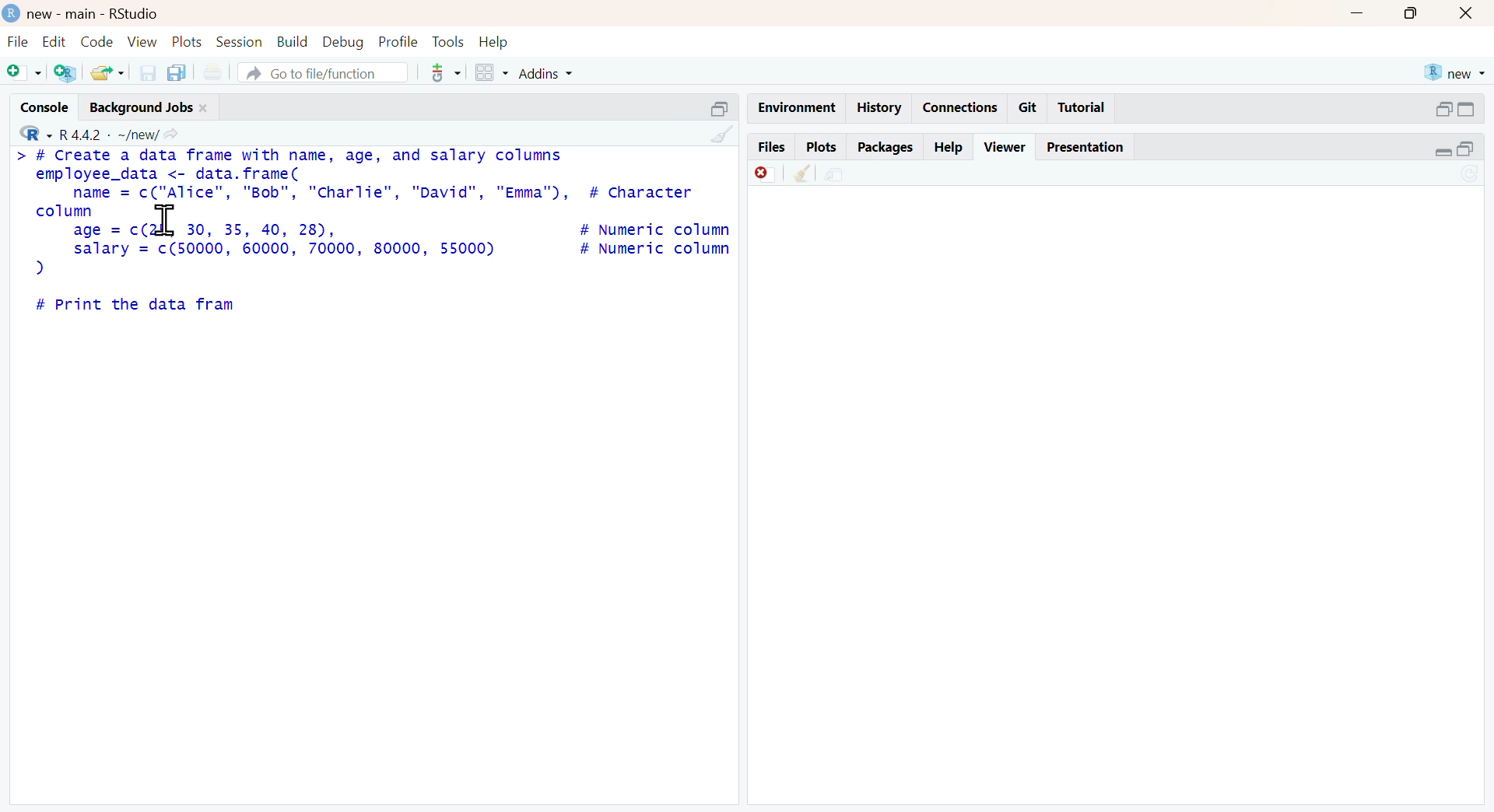 Image resolution: width=1494 pixels, height=812 pixels. Describe the element at coordinates (1366, 16) in the screenshot. I see `minimize` at that location.